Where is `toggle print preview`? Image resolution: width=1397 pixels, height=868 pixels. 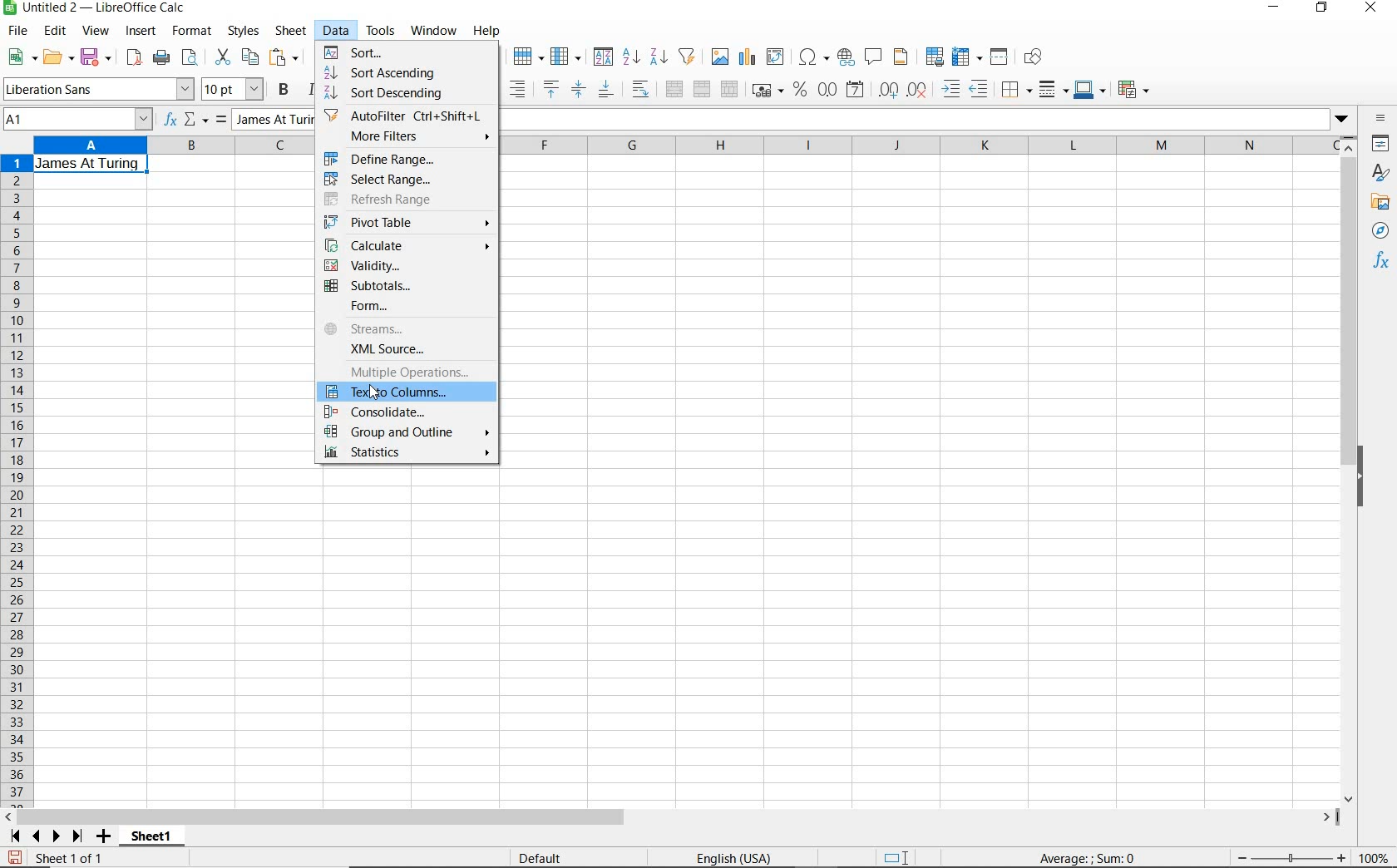 toggle print preview is located at coordinates (193, 59).